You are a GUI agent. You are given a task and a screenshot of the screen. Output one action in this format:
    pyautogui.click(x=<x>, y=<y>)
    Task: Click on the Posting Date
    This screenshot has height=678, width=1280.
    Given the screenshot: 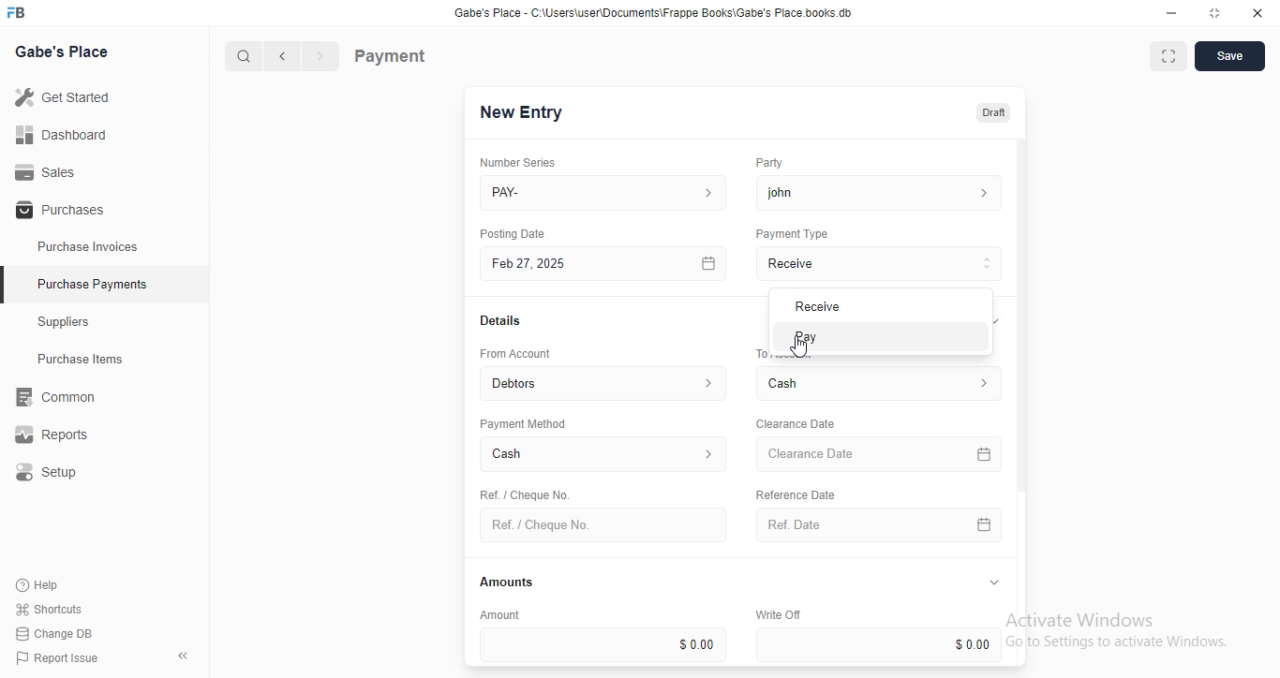 What is the action you would take?
    pyautogui.click(x=514, y=233)
    